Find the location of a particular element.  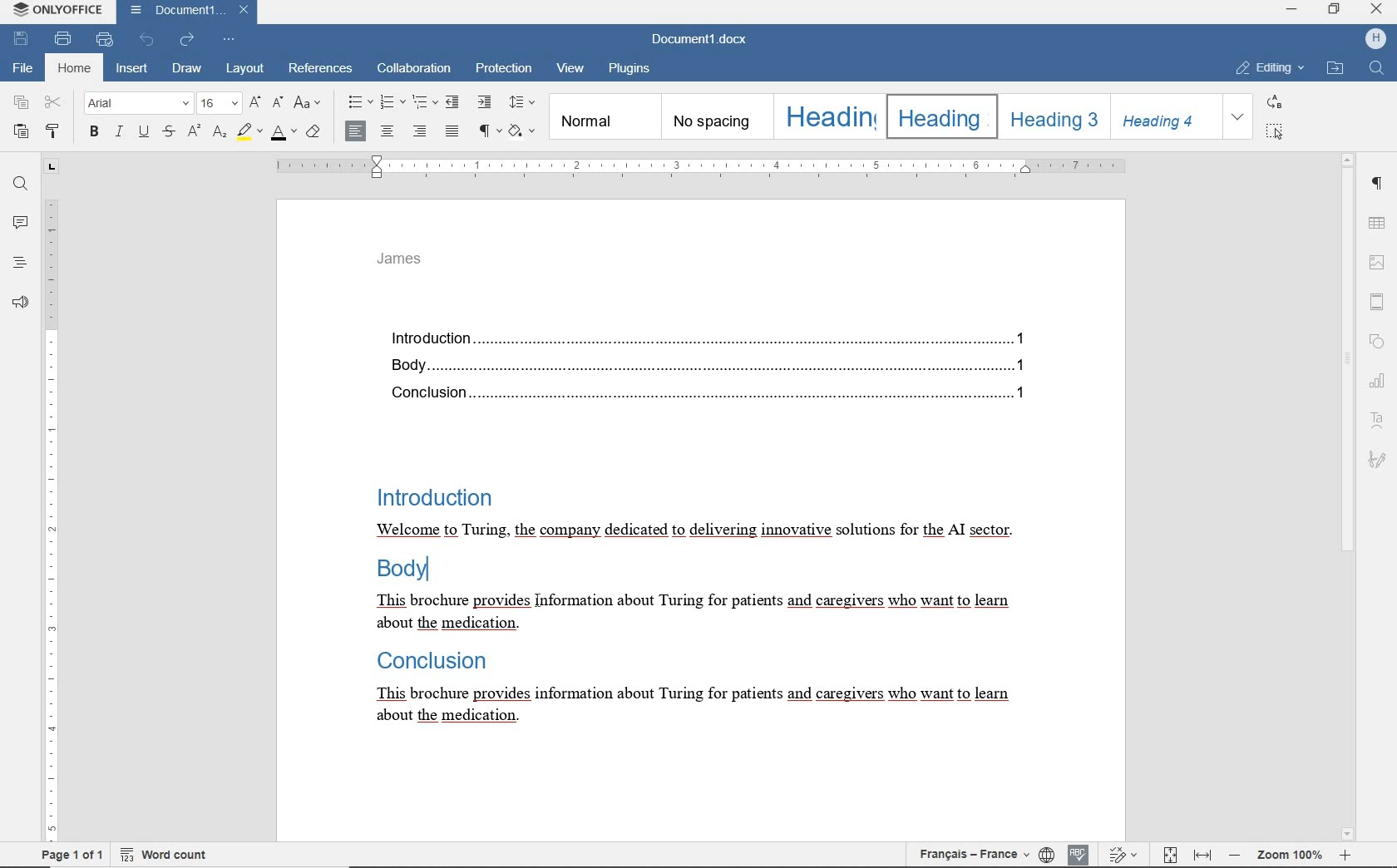

SCROLLBAR is located at coordinates (1348, 496).